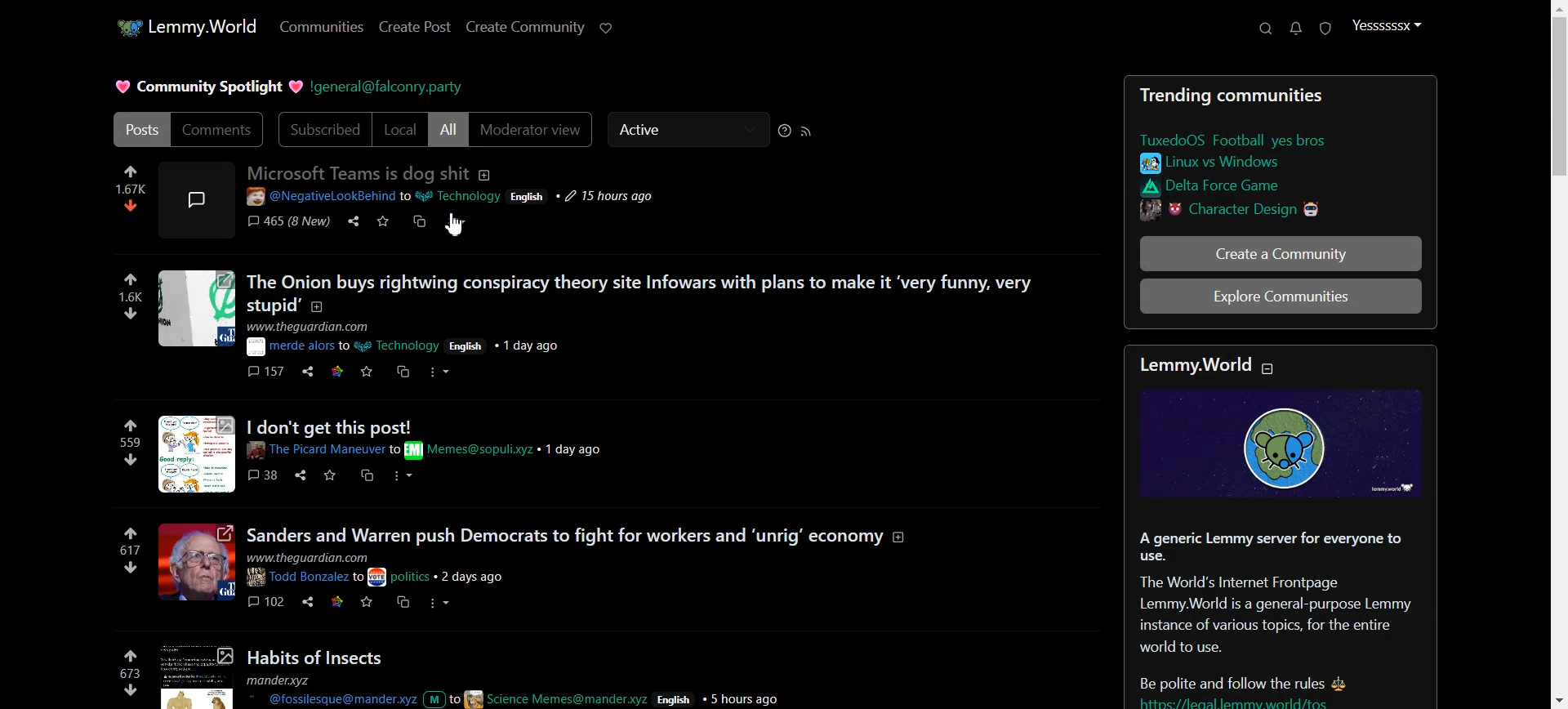  Describe the element at coordinates (367, 372) in the screenshot. I see `save` at that location.